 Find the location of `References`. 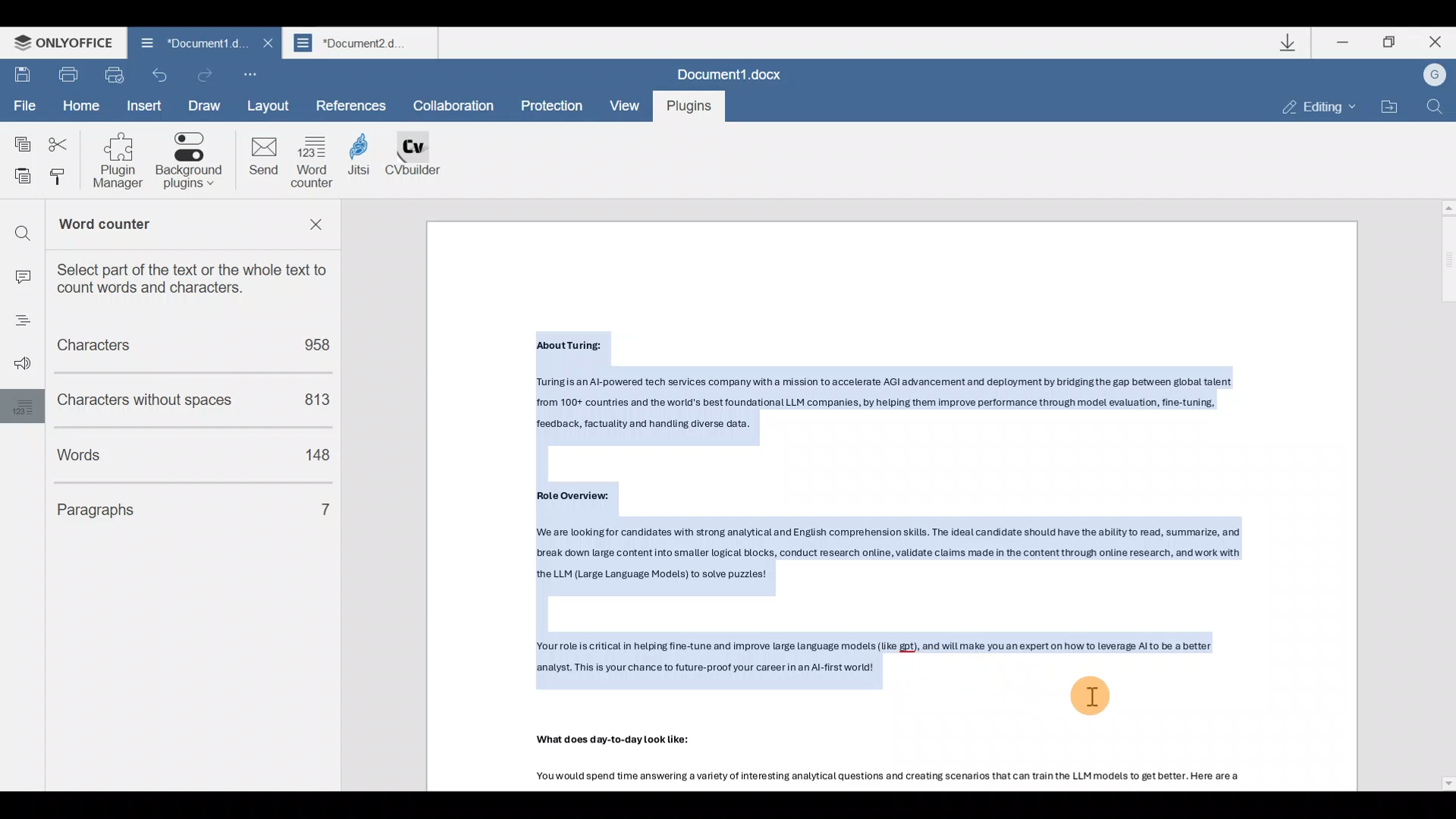

References is located at coordinates (352, 104).